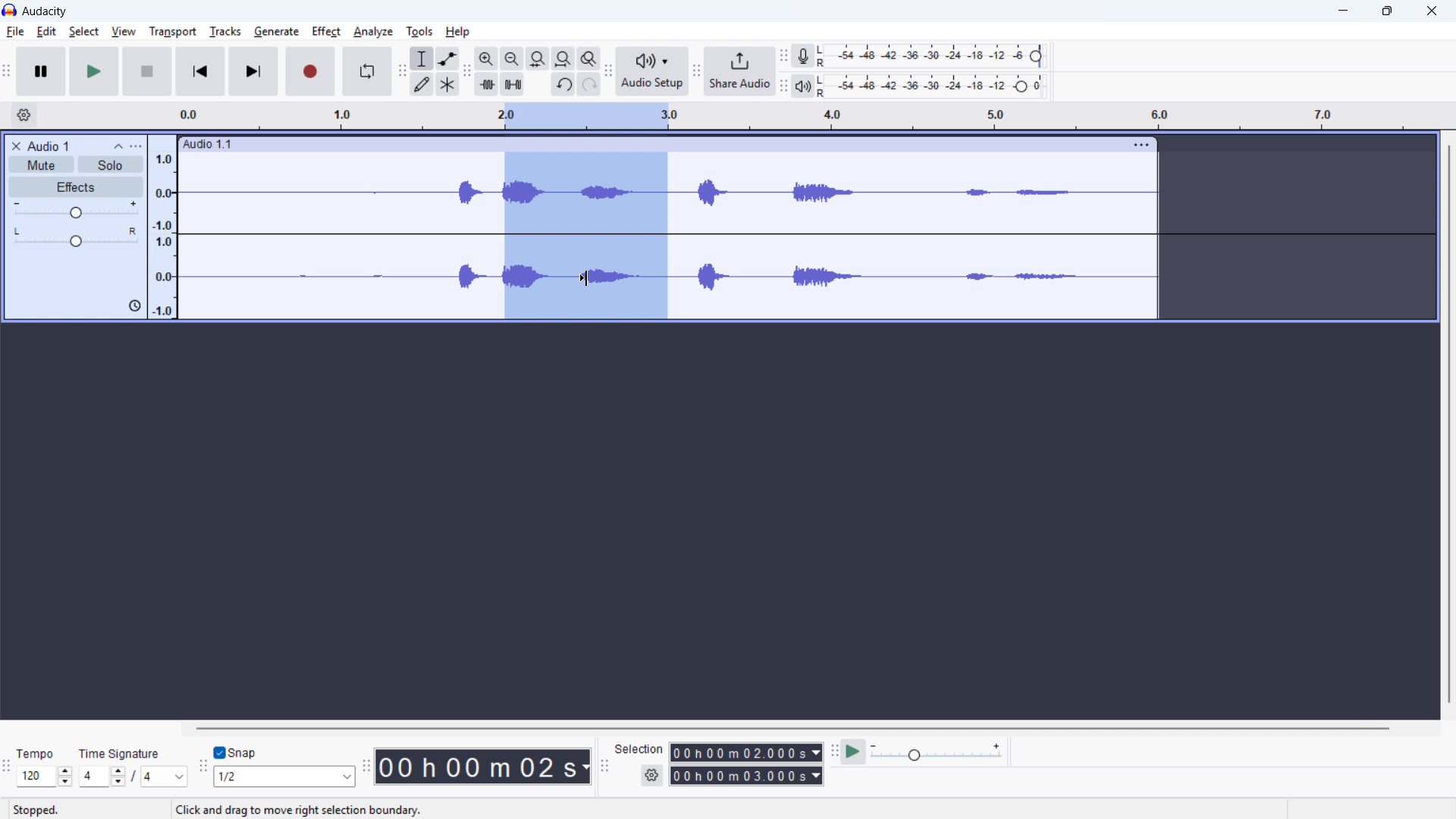  What do you see at coordinates (607, 72) in the screenshot?
I see `Audio setup toolbar` at bounding box center [607, 72].